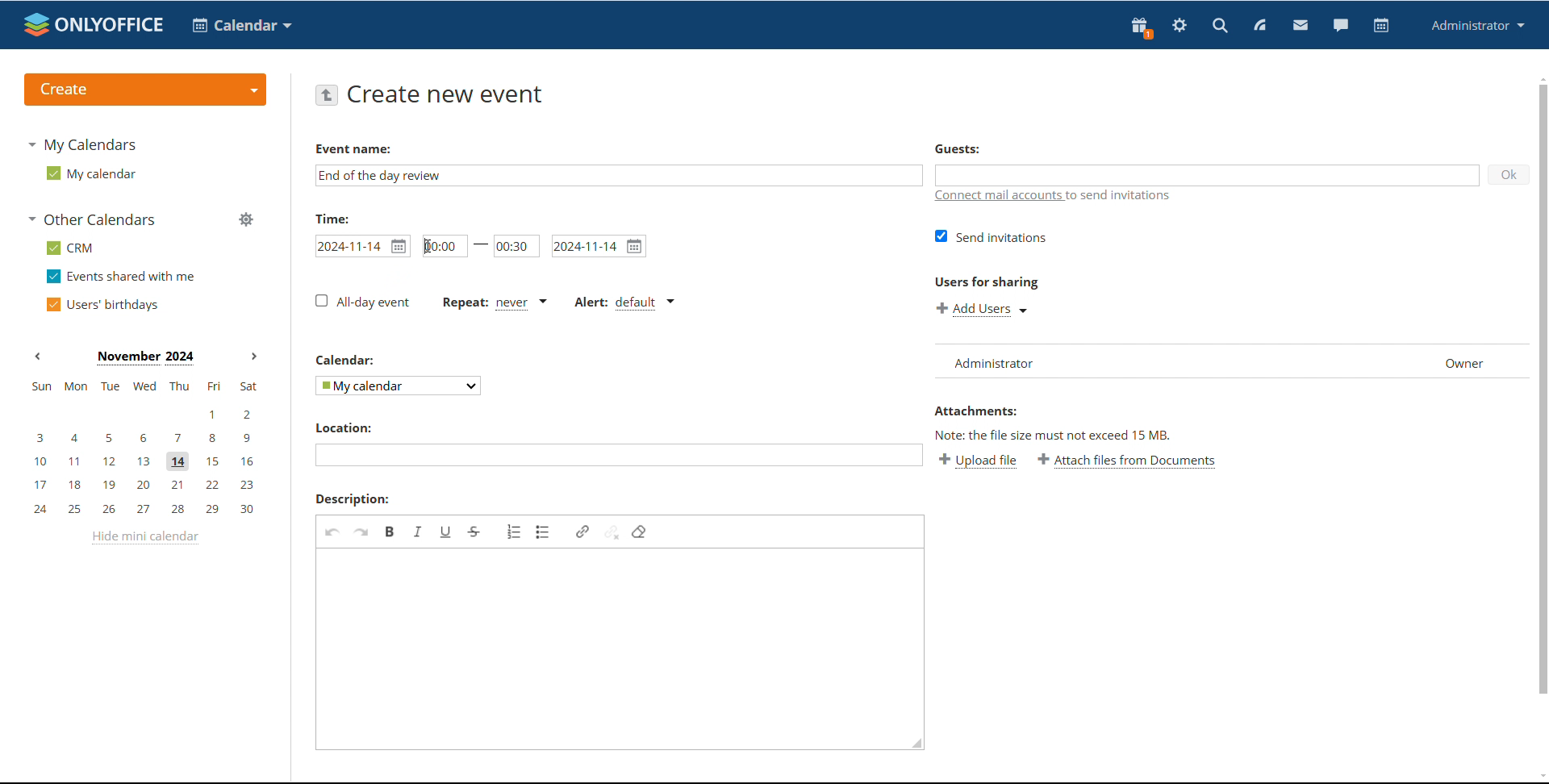 Image resolution: width=1549 pixels, height=784 pixels. What do you see at coordinates (144, 537) in the screenshot?
I see `hide mini calendar` at bounding box center [144, 537].